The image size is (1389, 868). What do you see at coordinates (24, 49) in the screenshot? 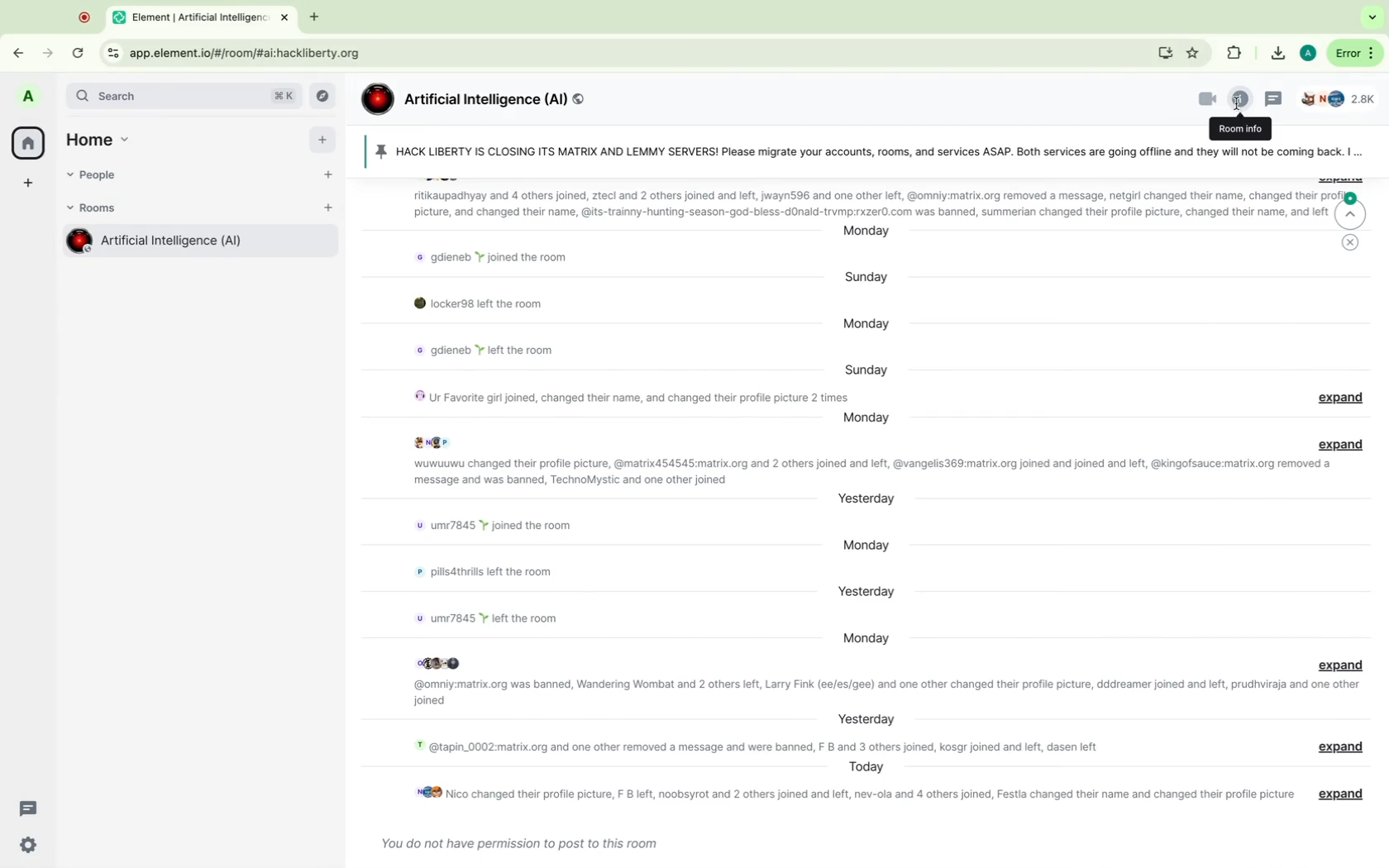
I see `back` at bounding box center [24, 49].